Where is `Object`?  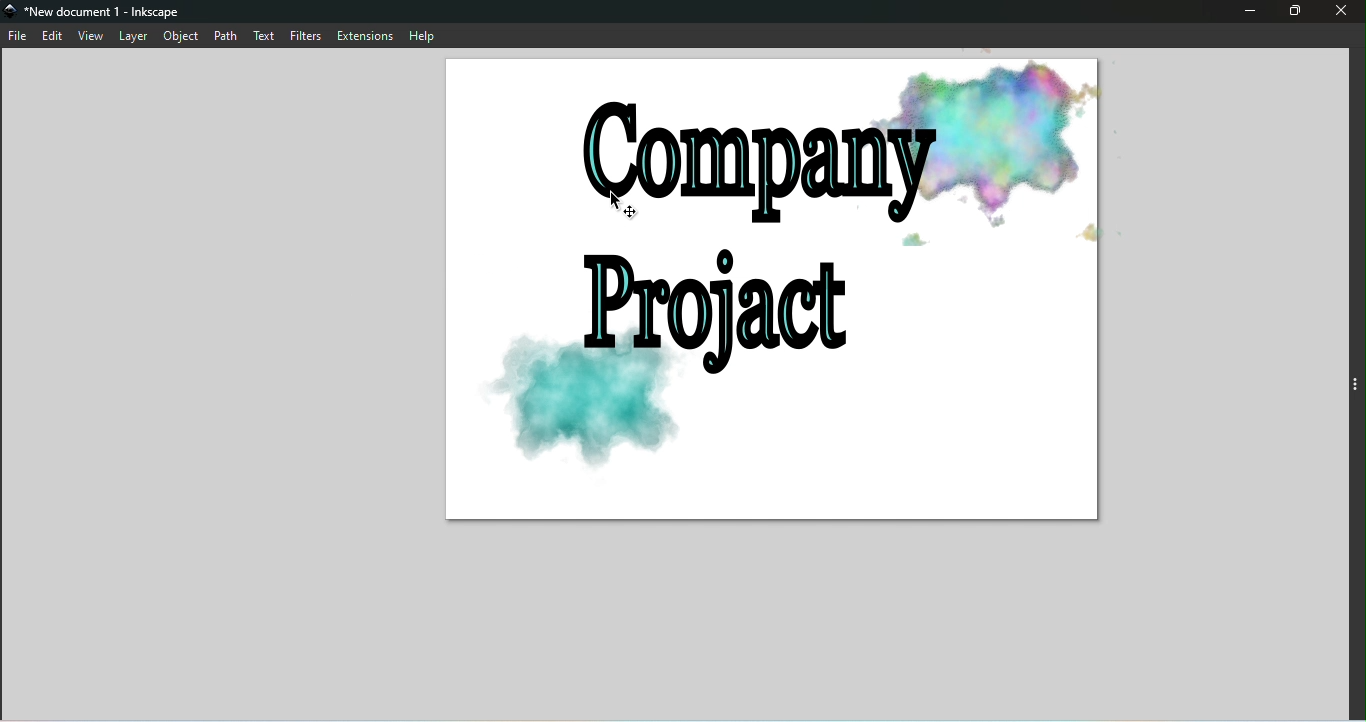
Object is located at coordinates (181, 37).